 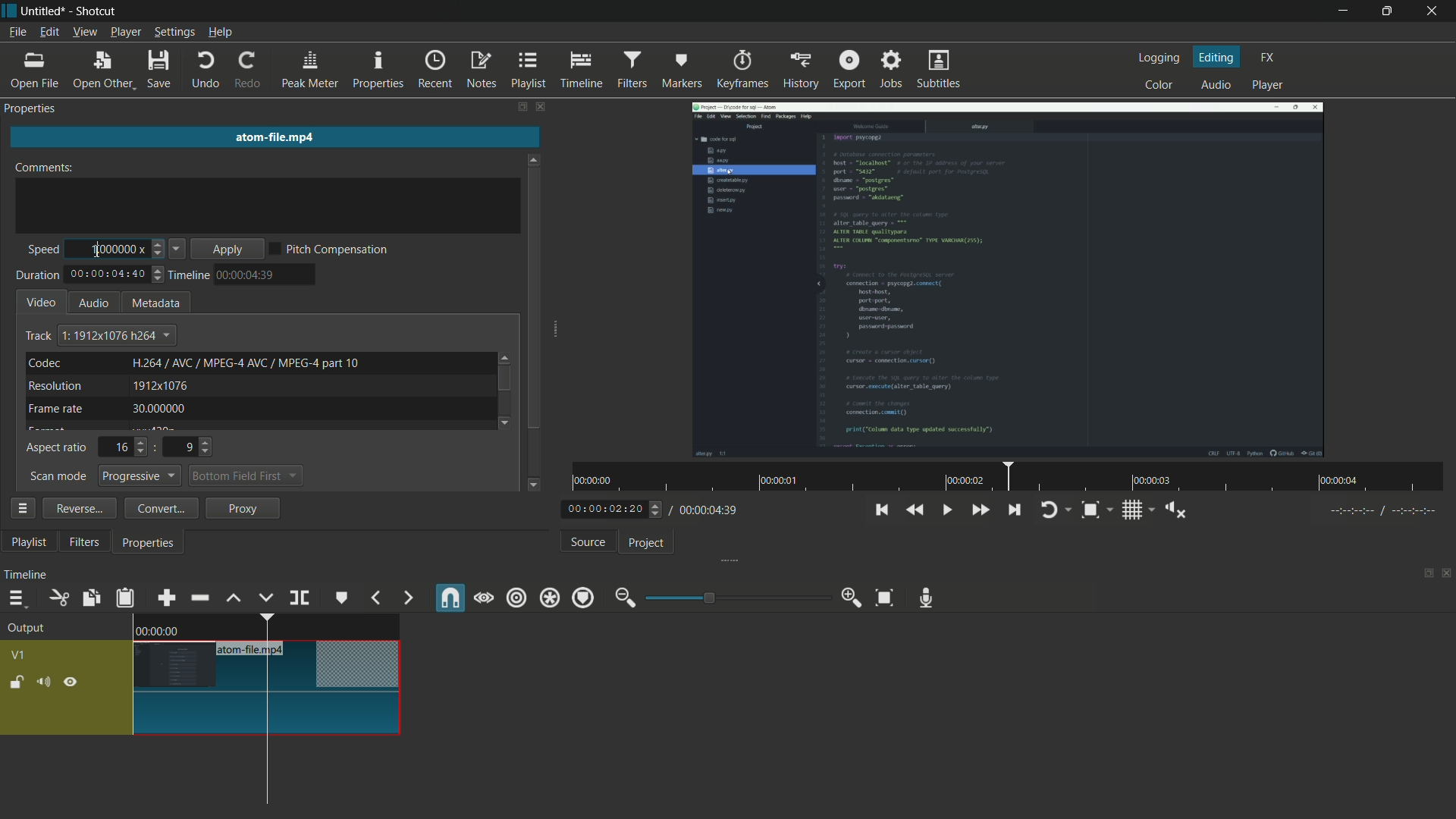 What do you see at coordinates (158, 256) in the screenshot?
I see `decrease` at bounding box center [158, 256].